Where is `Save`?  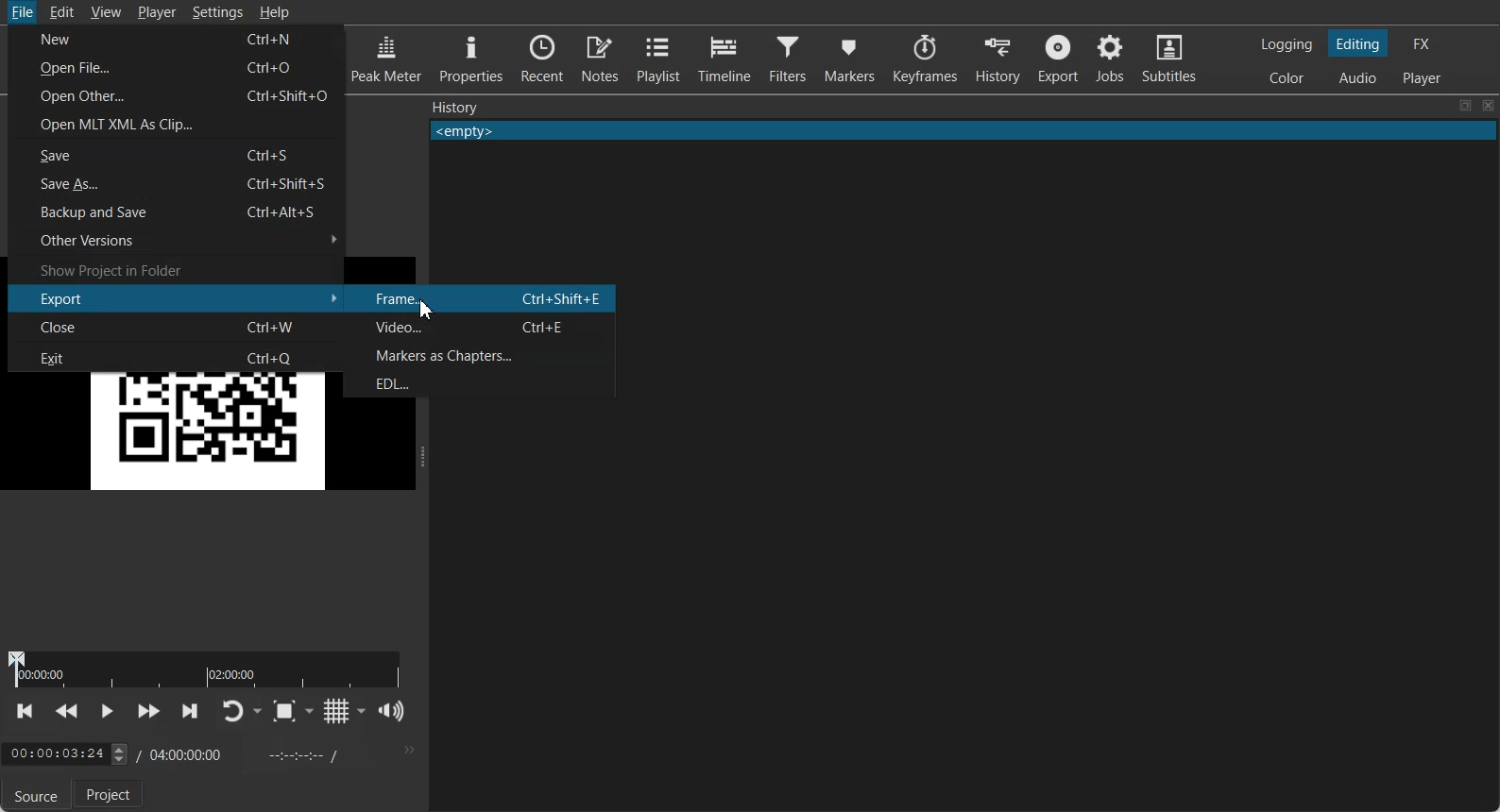
Save is located at coordinates (106, 155).